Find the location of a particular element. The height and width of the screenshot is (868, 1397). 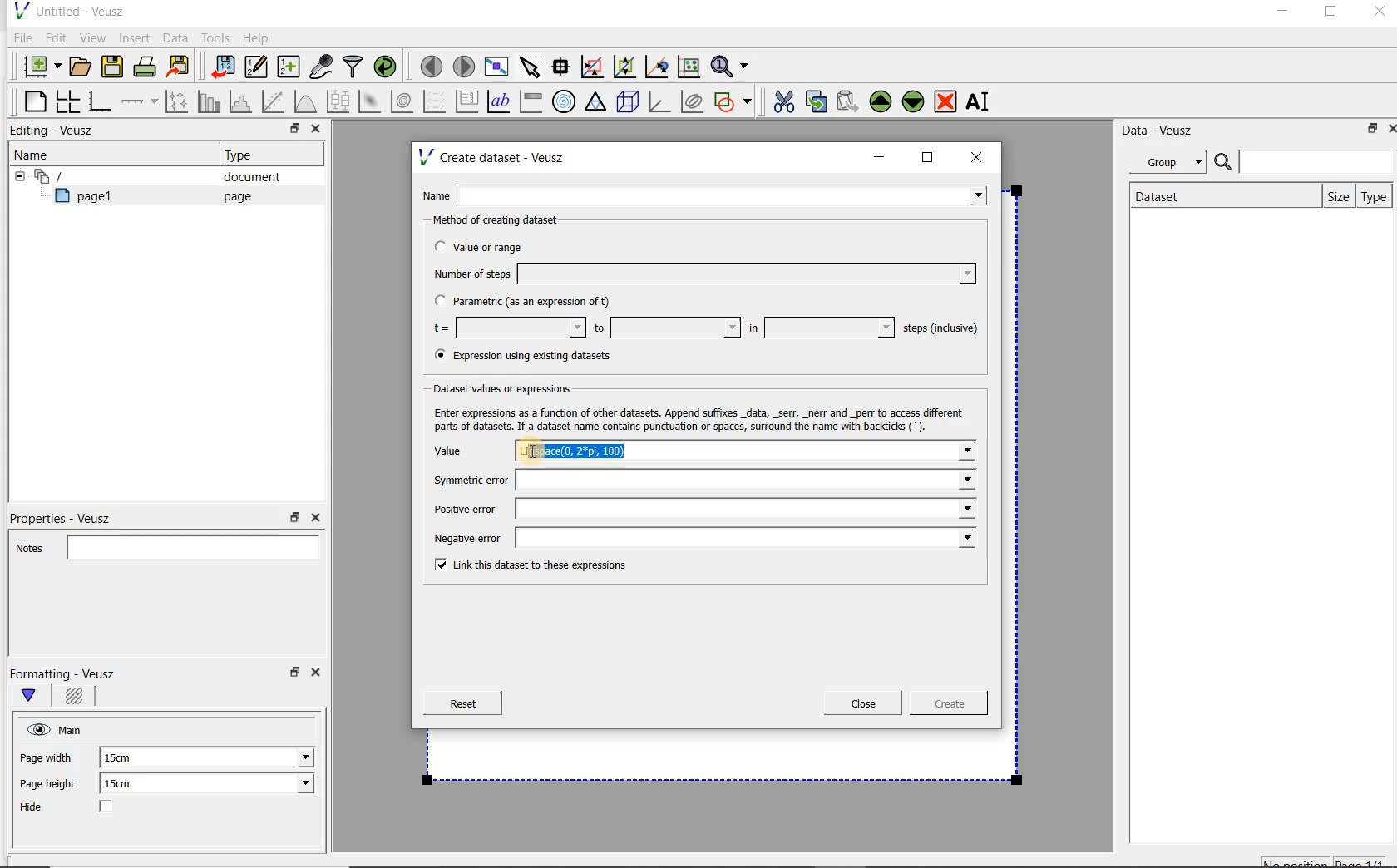

click to reset graph axes is located at coordinates (689, 66).